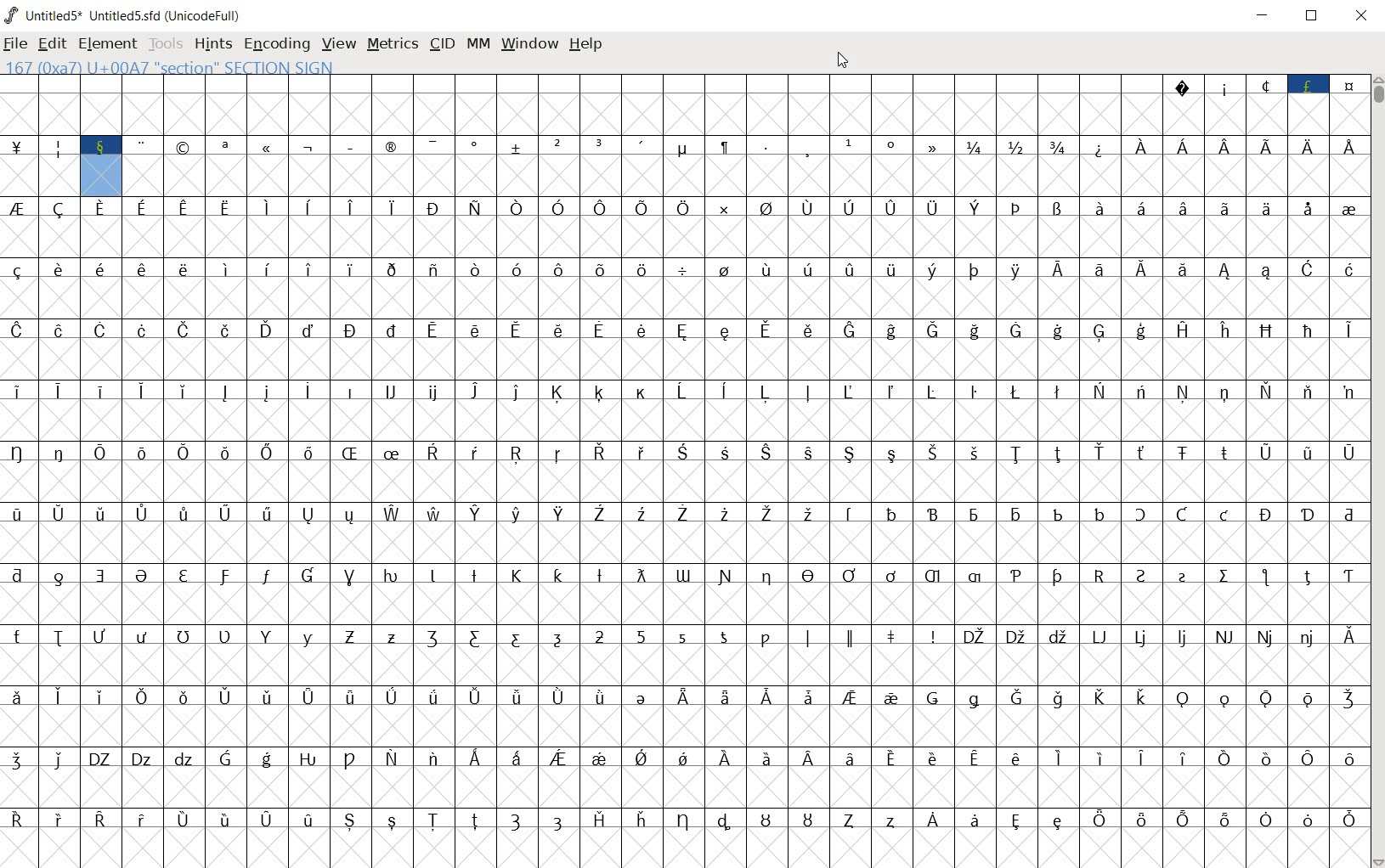 The height and width of the screenshot is (868, 1385). I want to click on accented characters, so click(414, 778).